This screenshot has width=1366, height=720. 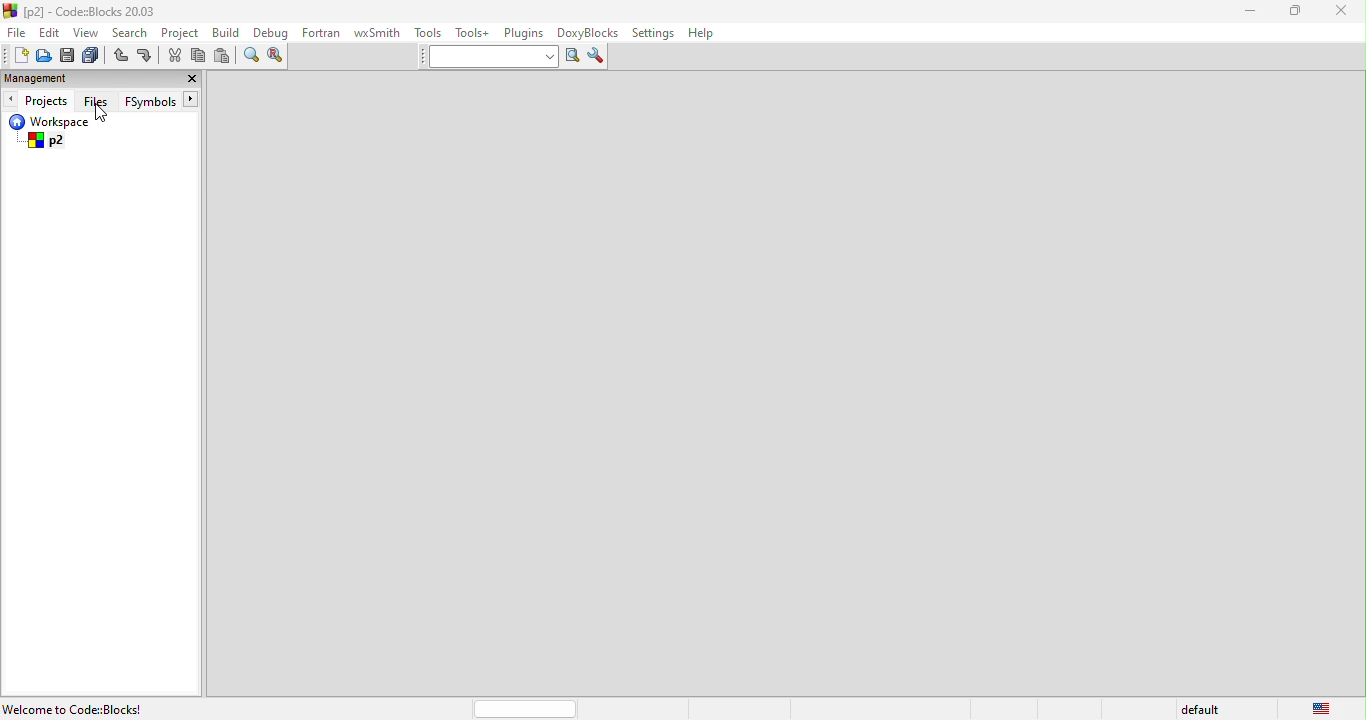 I want to click on run search, so click(x=572, y=59).